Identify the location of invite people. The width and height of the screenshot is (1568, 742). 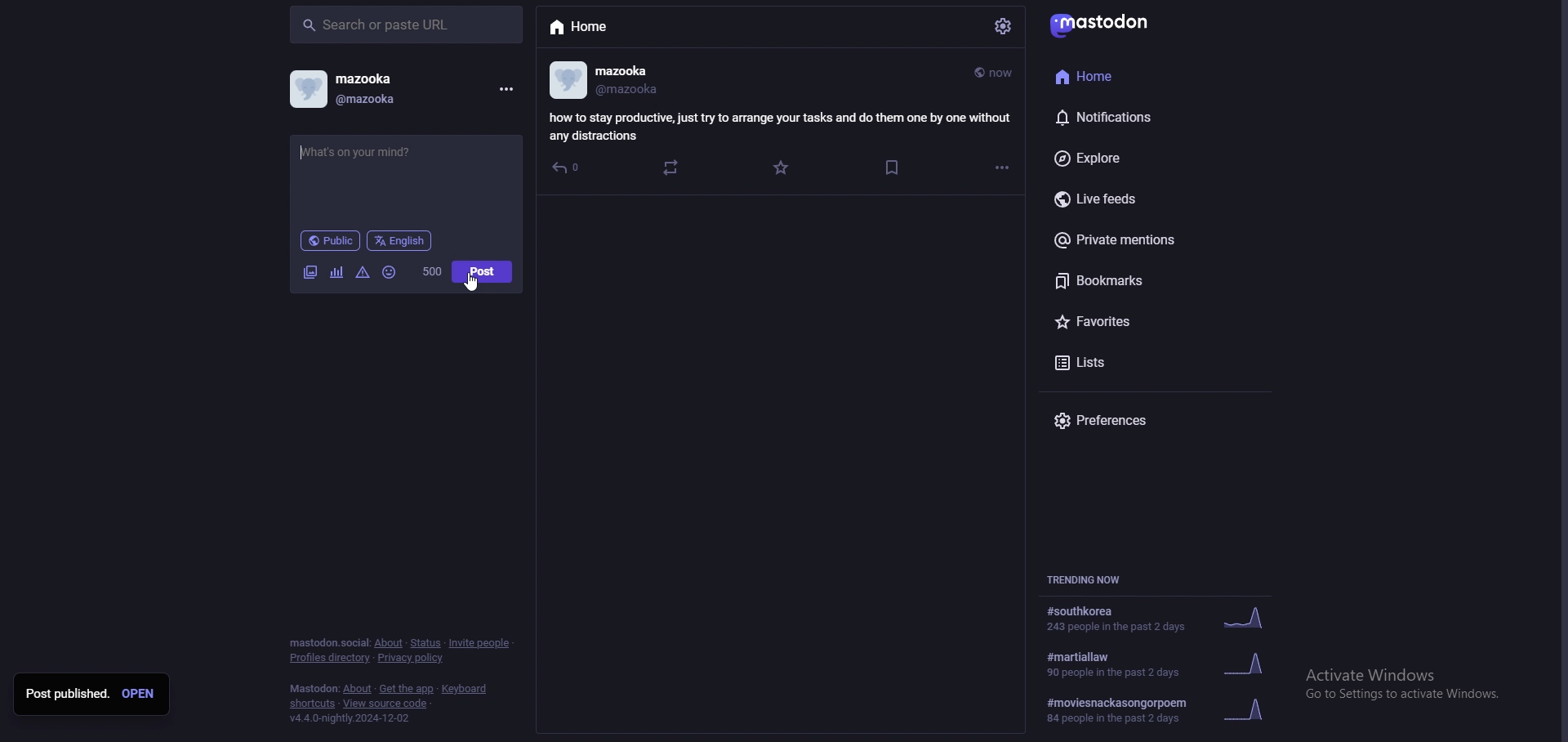
(482, 644).